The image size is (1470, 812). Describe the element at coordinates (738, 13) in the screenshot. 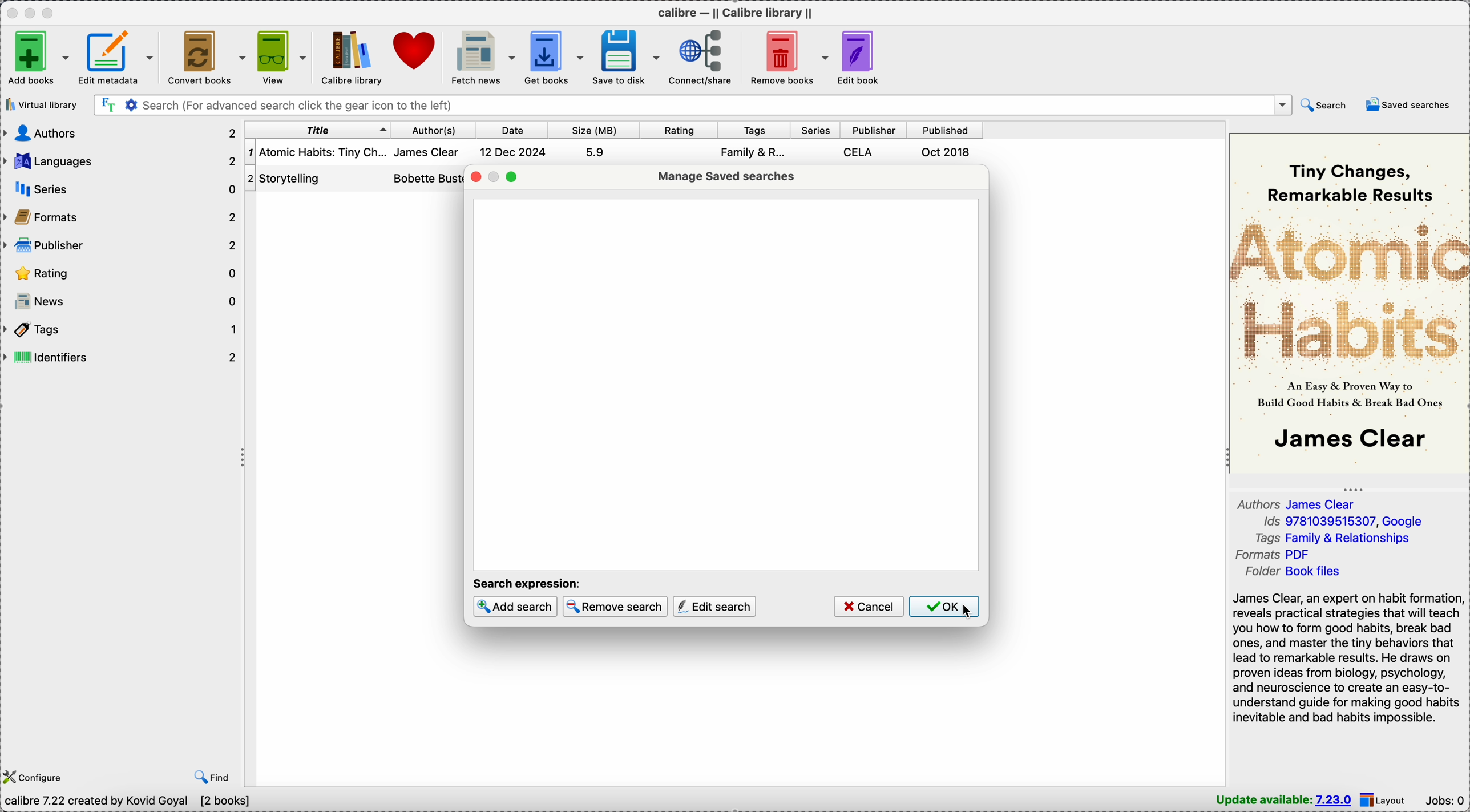

I see `calibre-|| calibre ||` at that location.